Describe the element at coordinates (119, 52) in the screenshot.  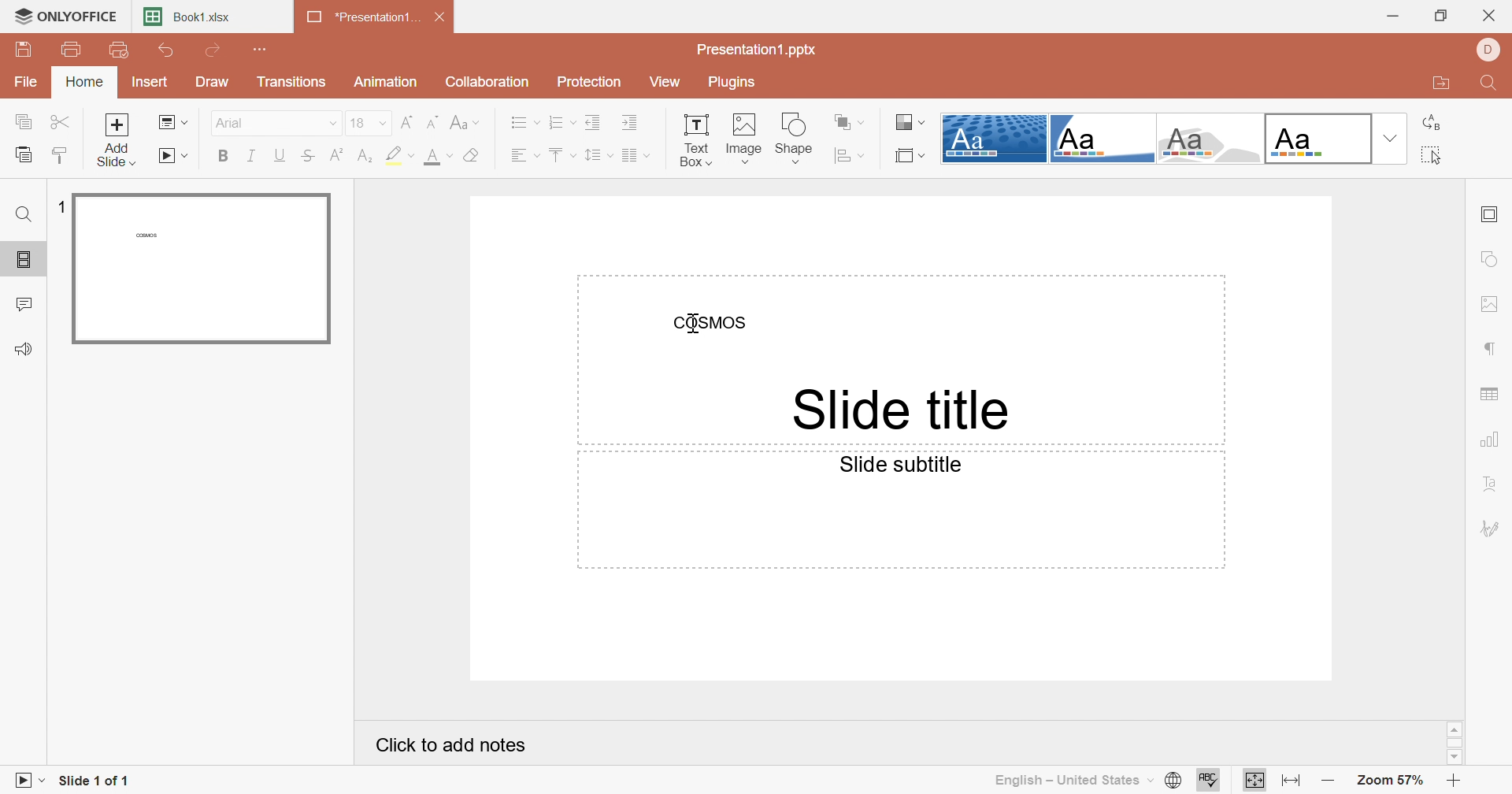
I see `Quick print` at that location.